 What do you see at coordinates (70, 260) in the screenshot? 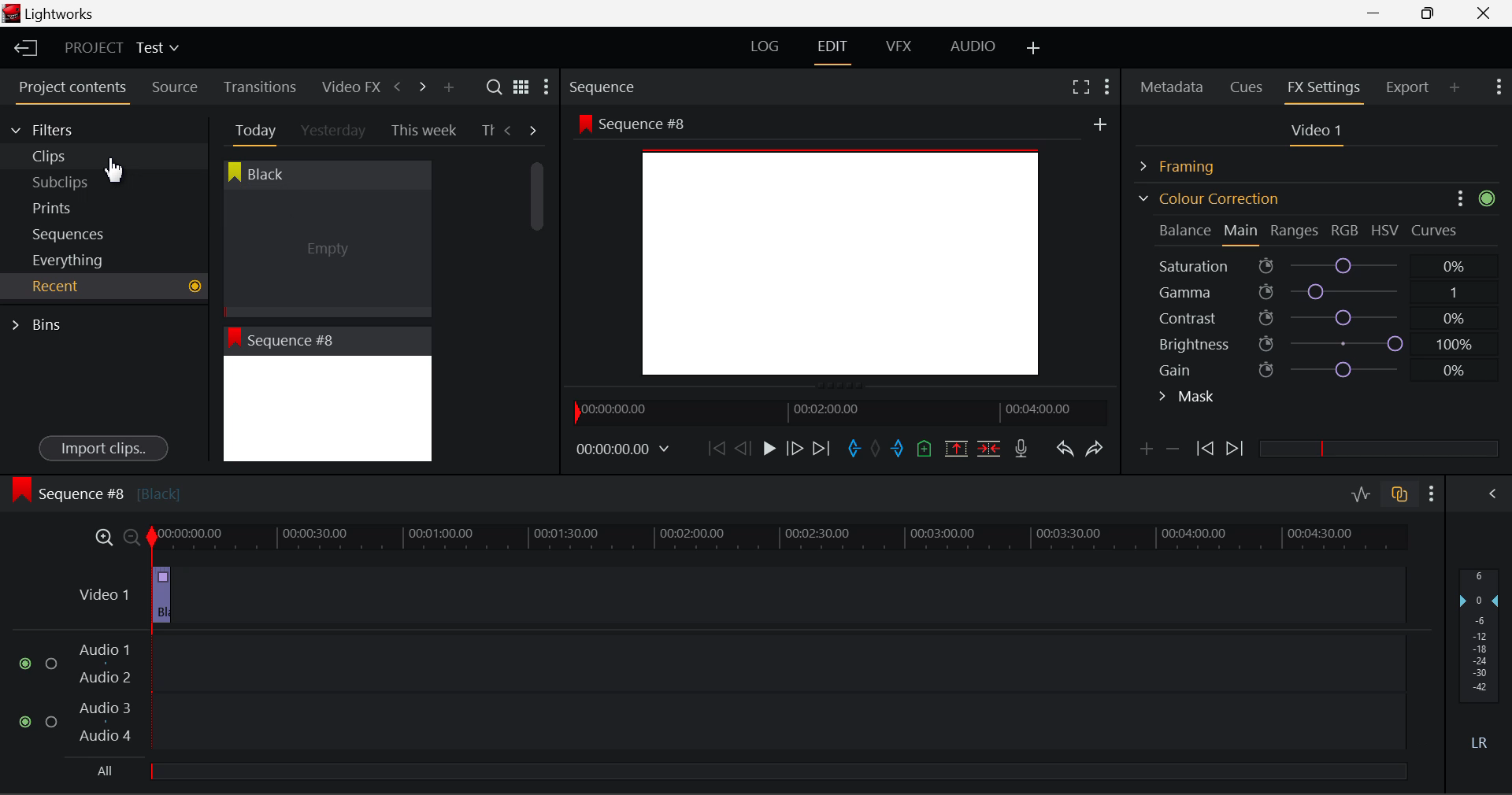
I see `Everything` at bounding box center [70, 260].